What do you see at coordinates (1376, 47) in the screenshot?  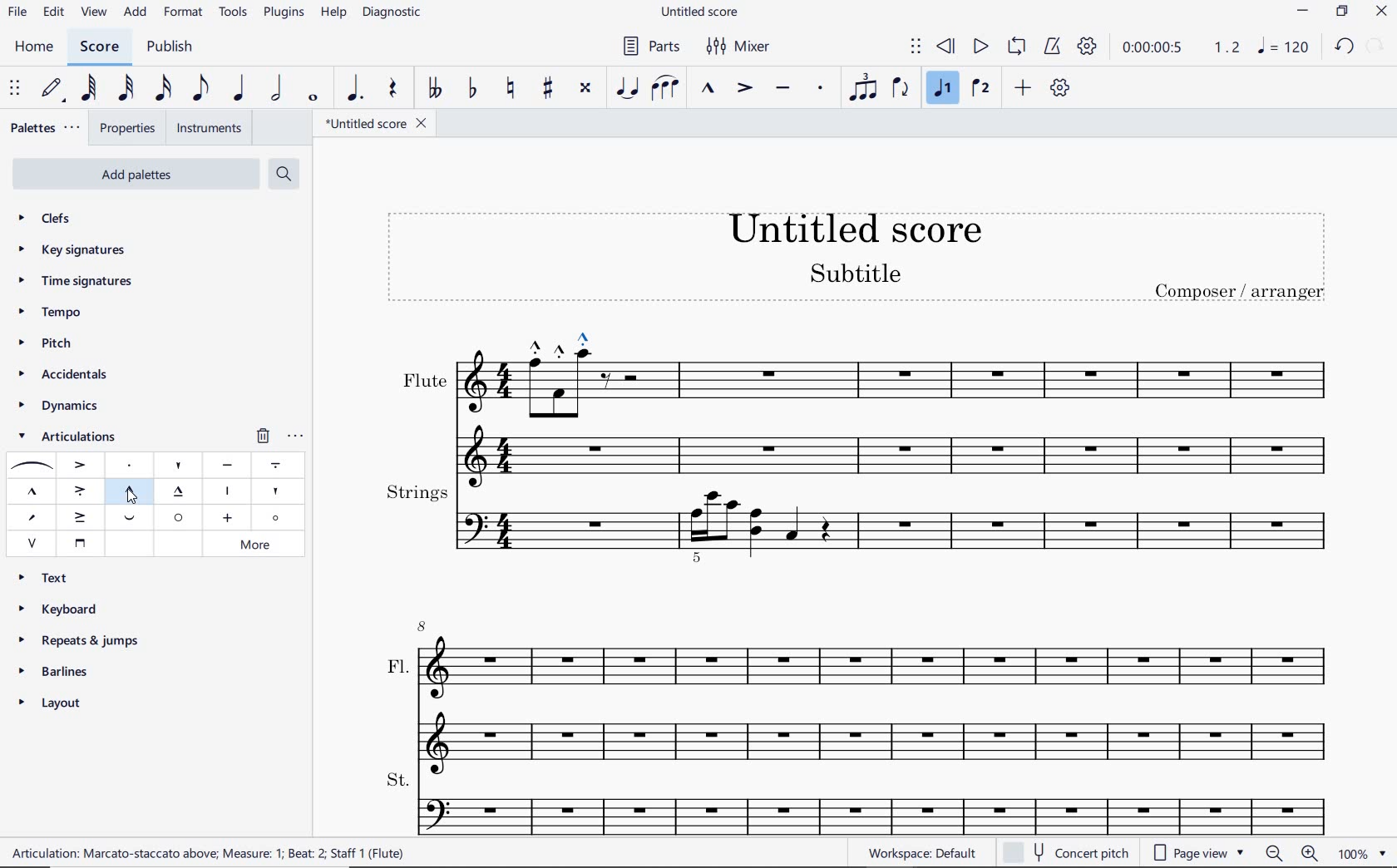 I see `redo` at bounding box center [1376, 47].